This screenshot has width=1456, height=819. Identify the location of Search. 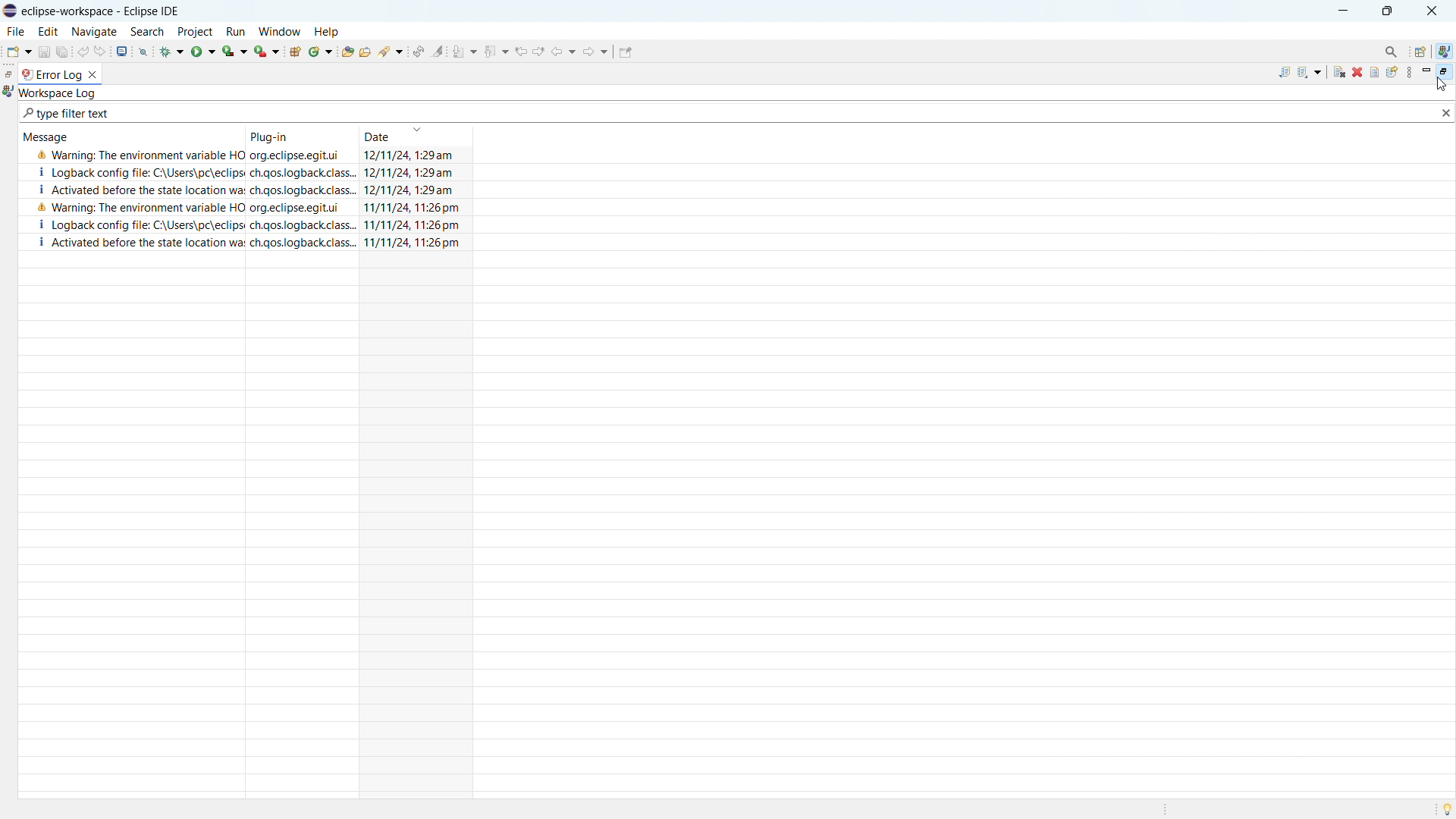
(1388, 49).